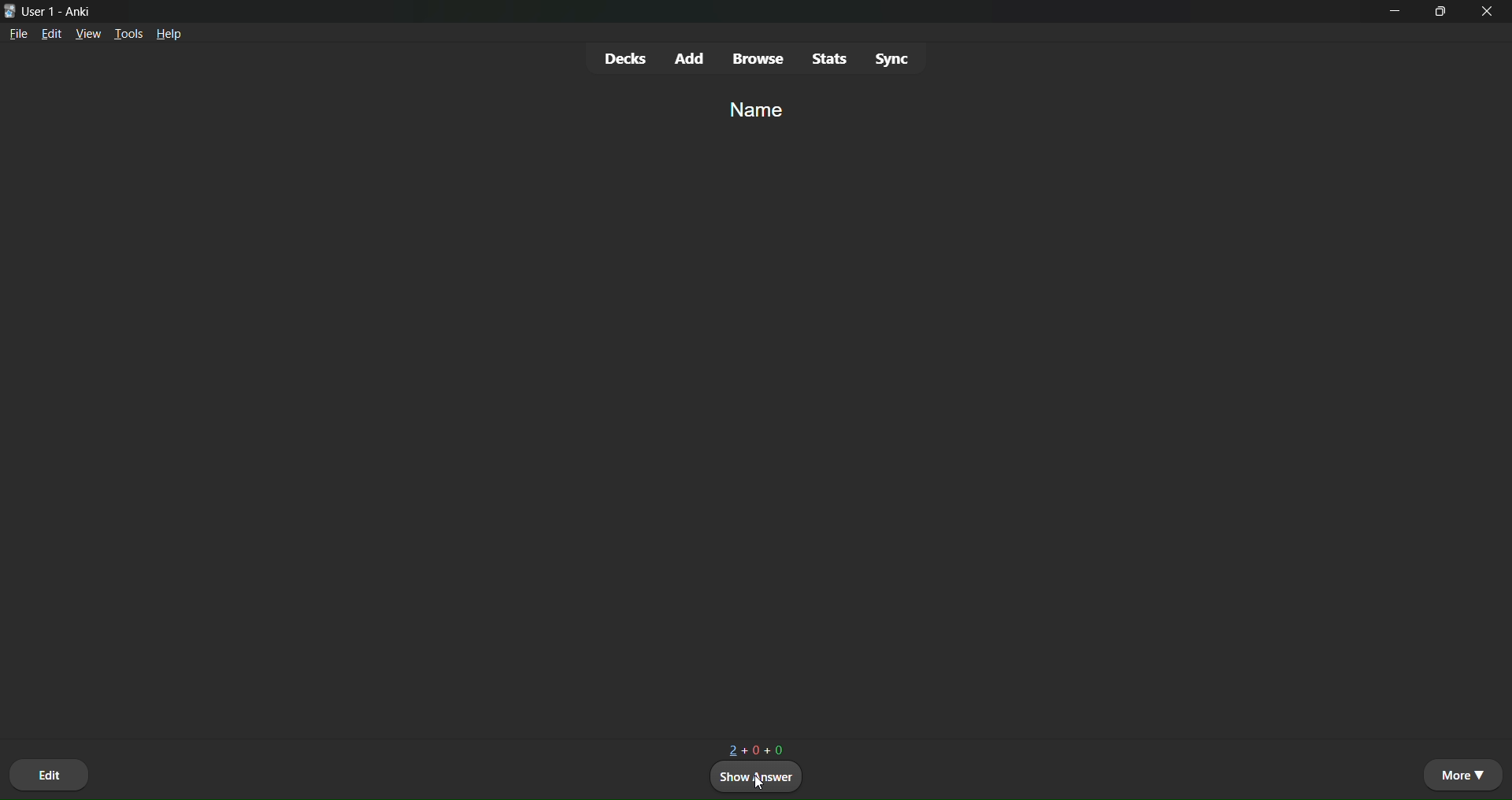  Describe the element at coordinates (624, 58) in the screenshot. I see `decks` at that location.